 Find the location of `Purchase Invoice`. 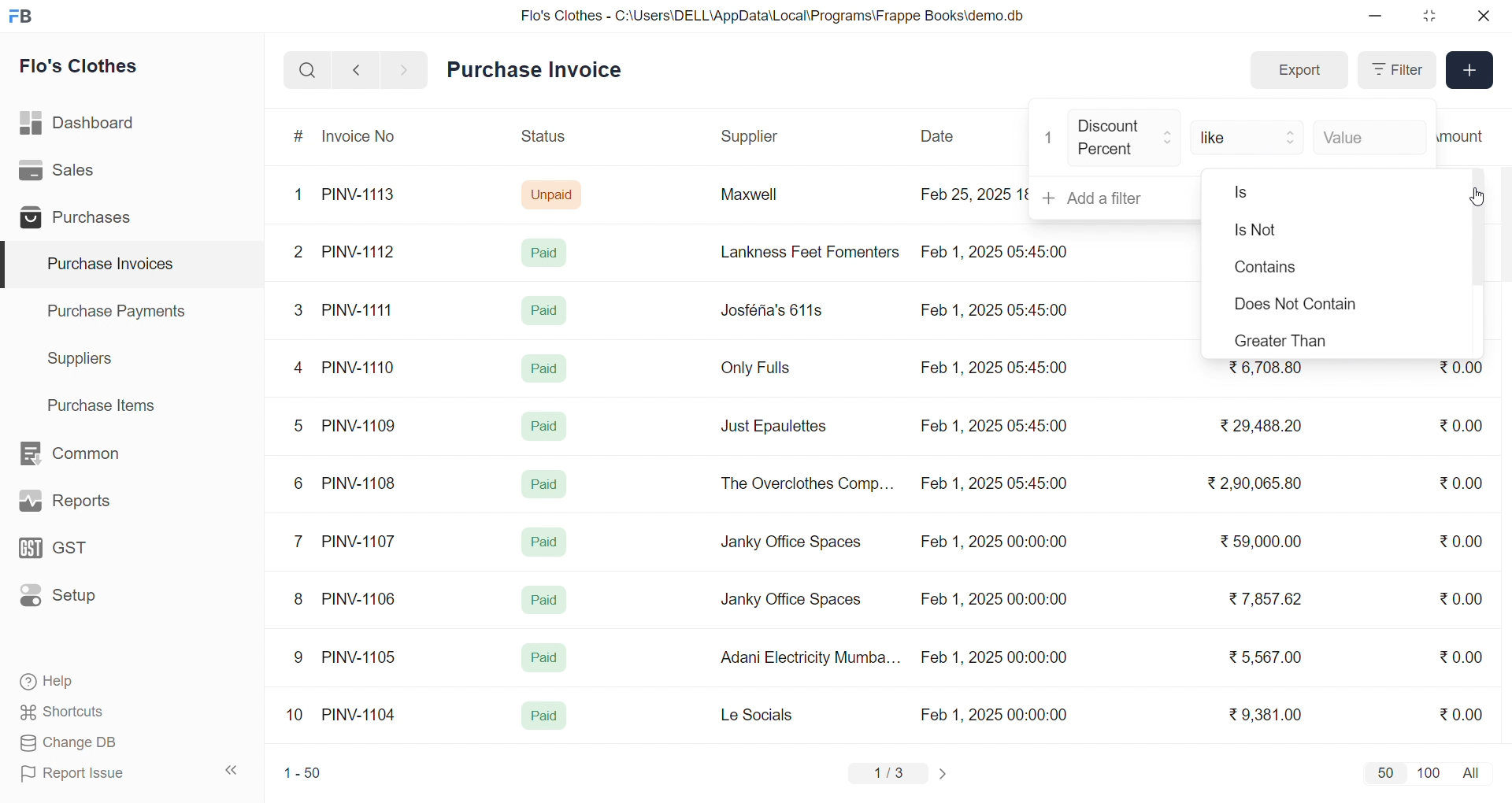

Purchase Invoice is located at coordinates (539, 70).